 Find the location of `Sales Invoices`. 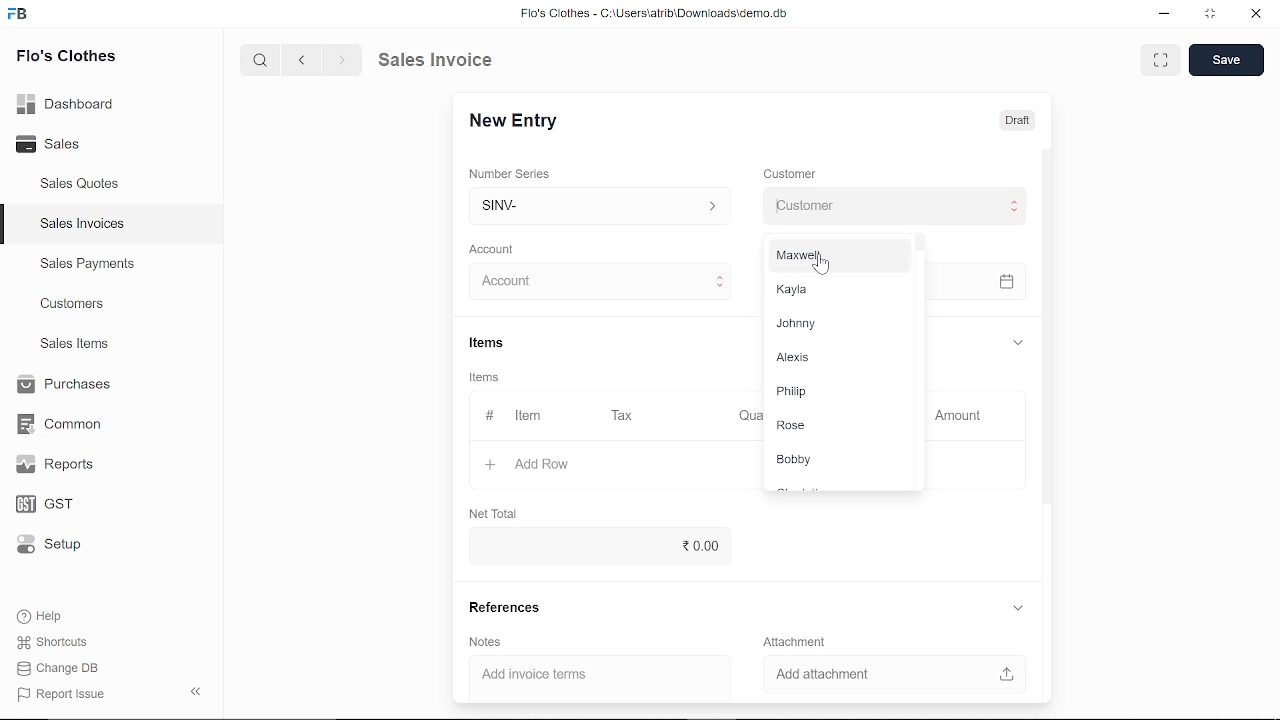

Sales Invoices is located at coordinates (82, 224).